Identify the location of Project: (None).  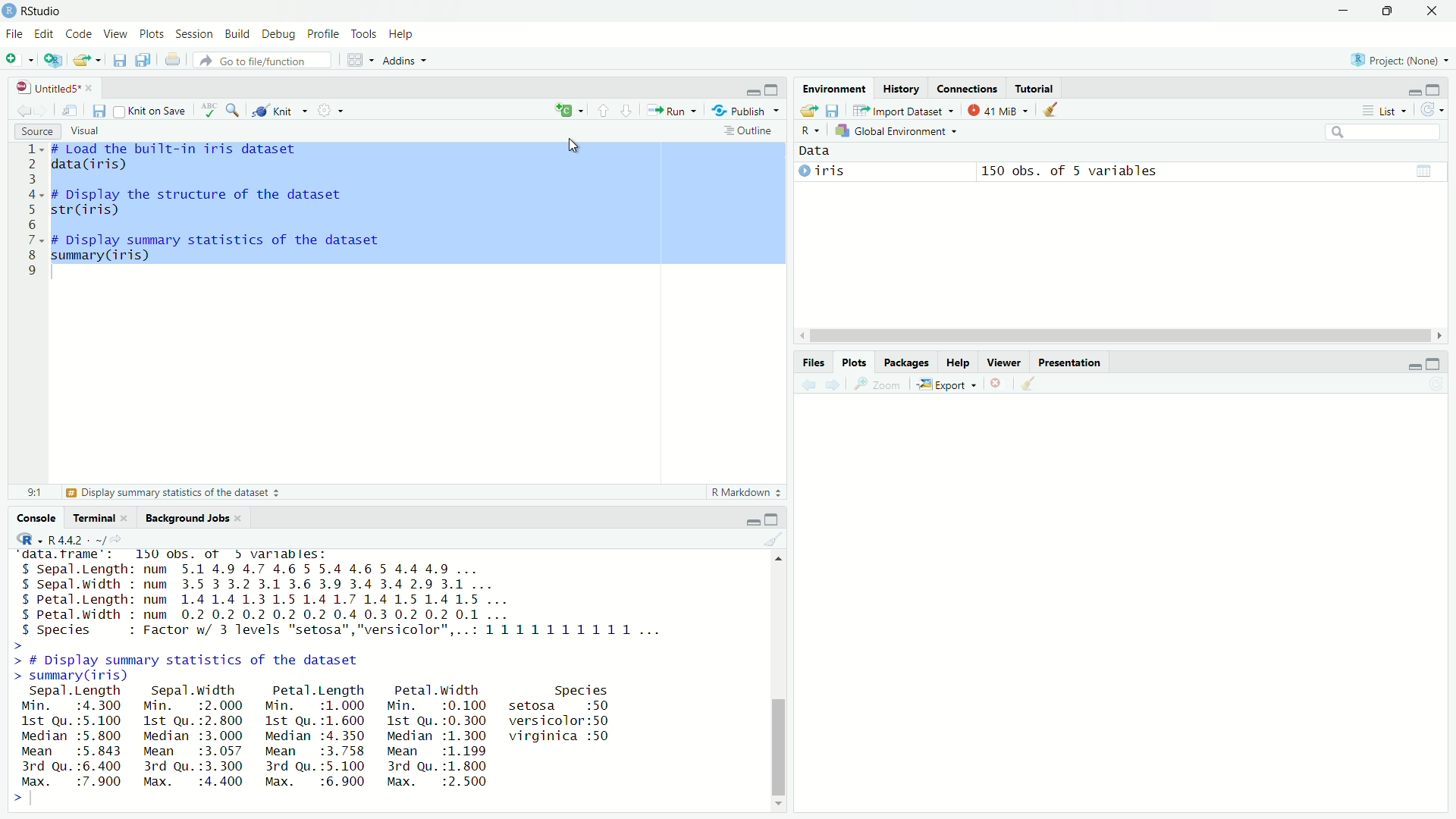
(1401, 60).